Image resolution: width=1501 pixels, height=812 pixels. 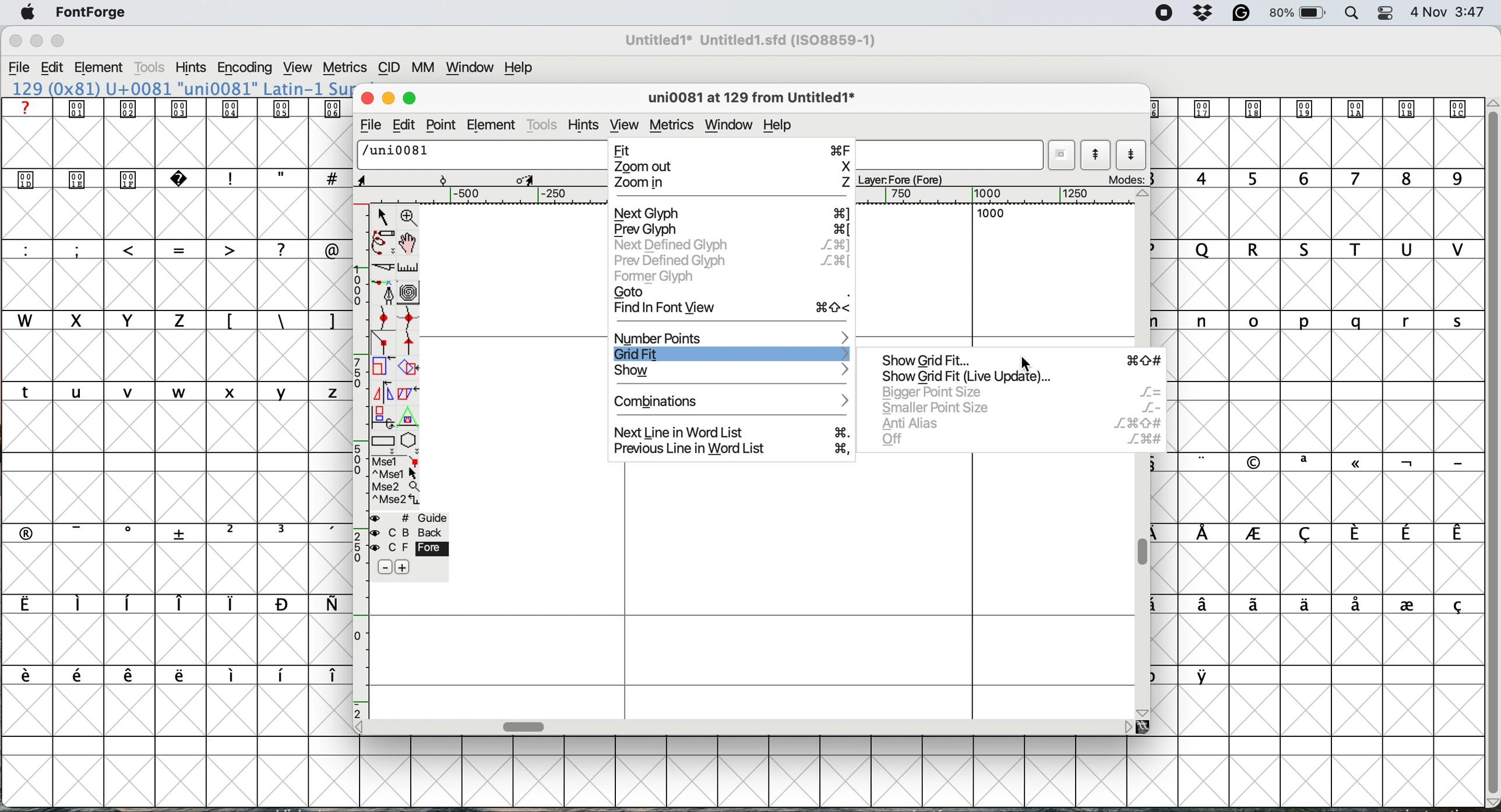 I want to click on Scroll Button , so click(x=1145, y=193).